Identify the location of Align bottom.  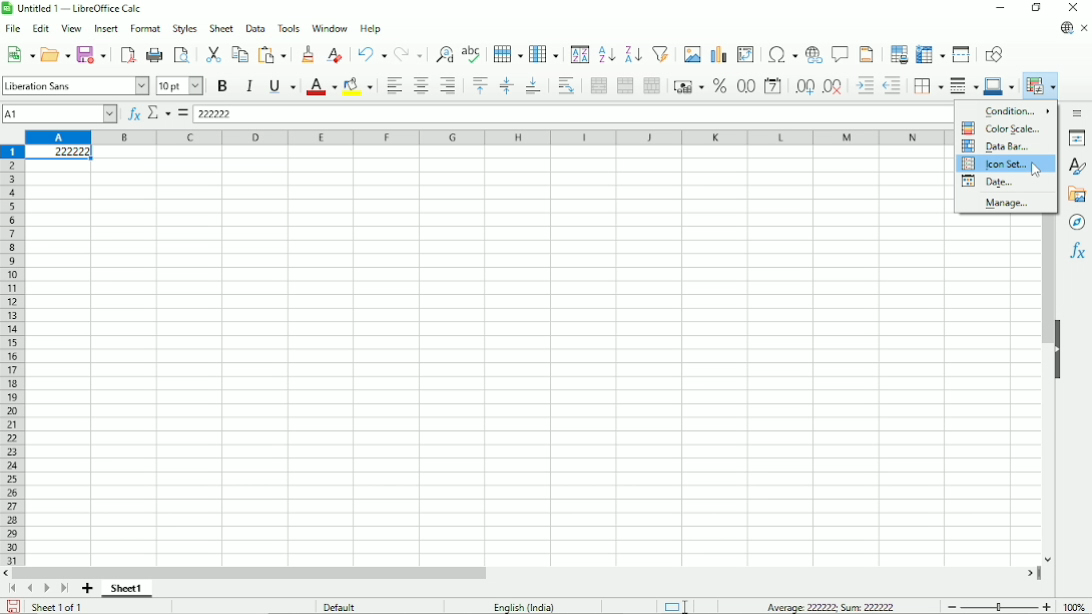
(532, 86).